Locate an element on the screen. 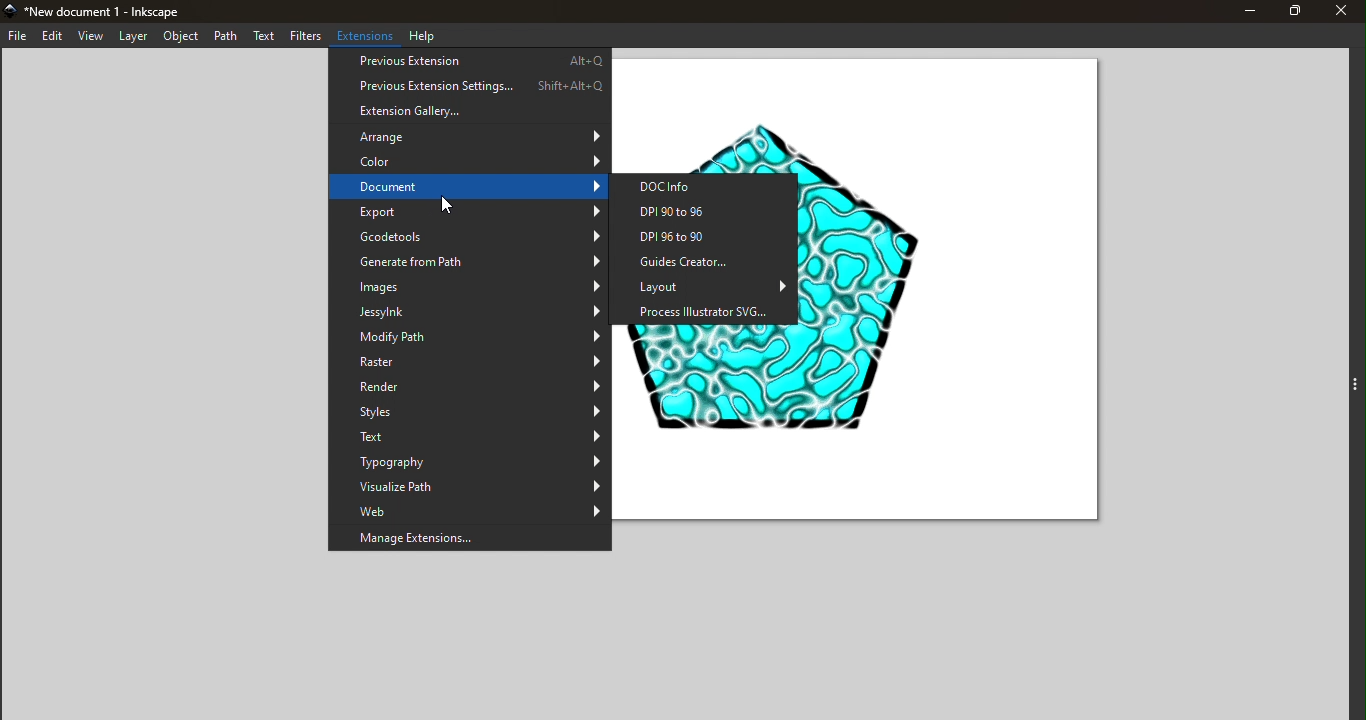 This screenshot has width=1366, height=720. Extensions is located at coordinates (367, 35).